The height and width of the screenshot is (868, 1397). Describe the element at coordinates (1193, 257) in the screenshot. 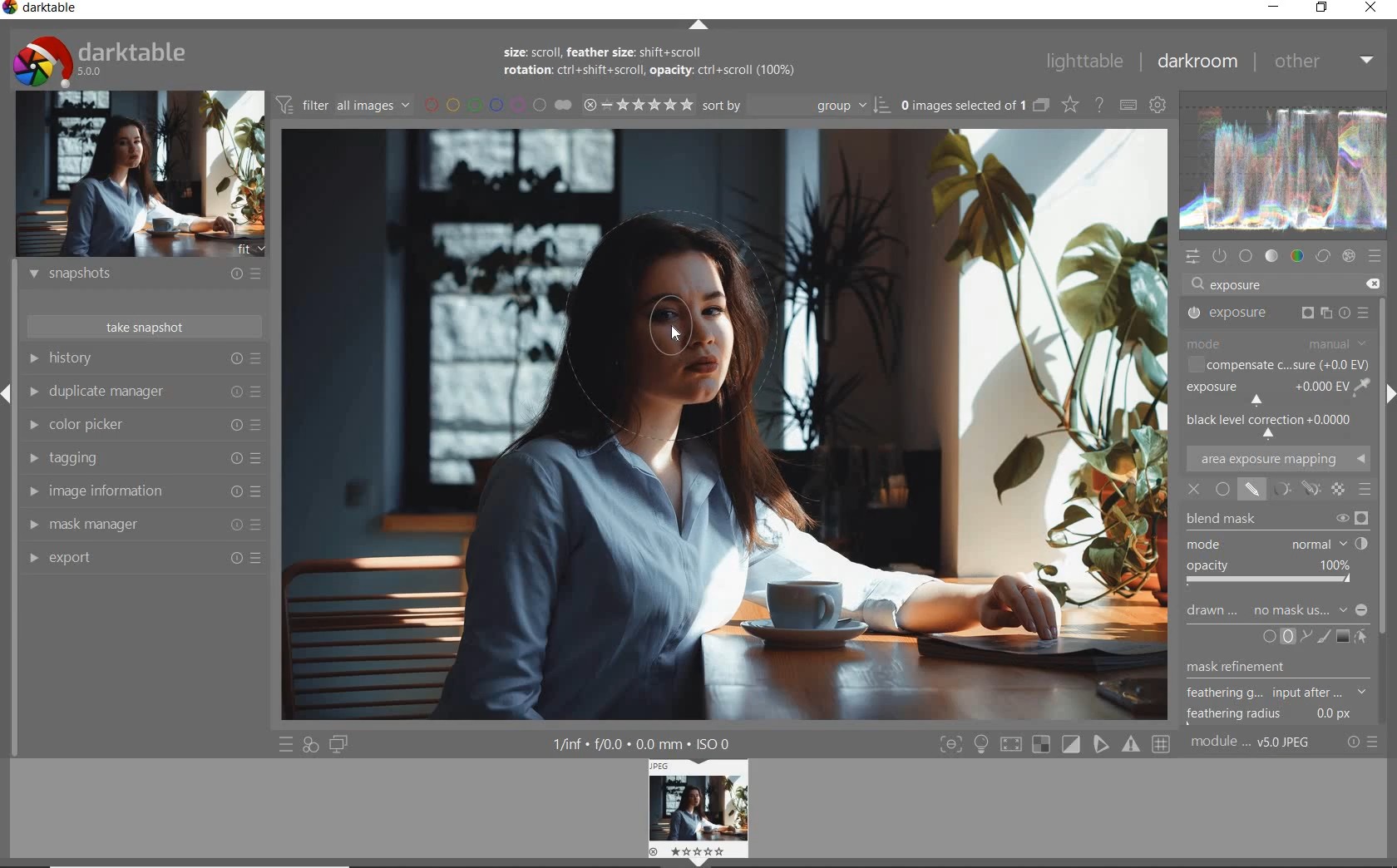

I see `quick access panel` at that location.